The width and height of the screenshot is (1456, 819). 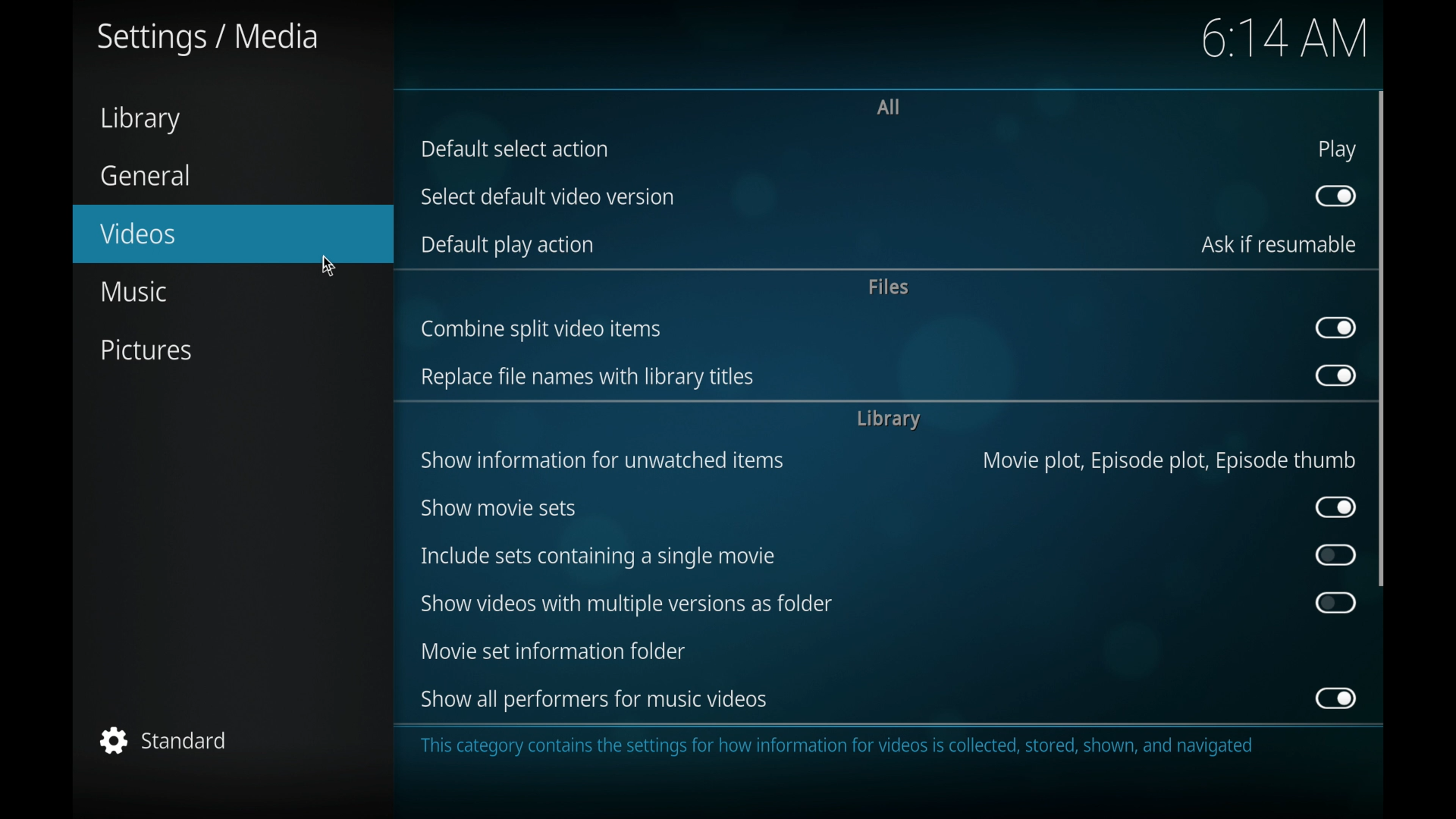 What do you see at coordinates (135, 290) in the screenshot?
I see `music` at bounding box center [135, 290].